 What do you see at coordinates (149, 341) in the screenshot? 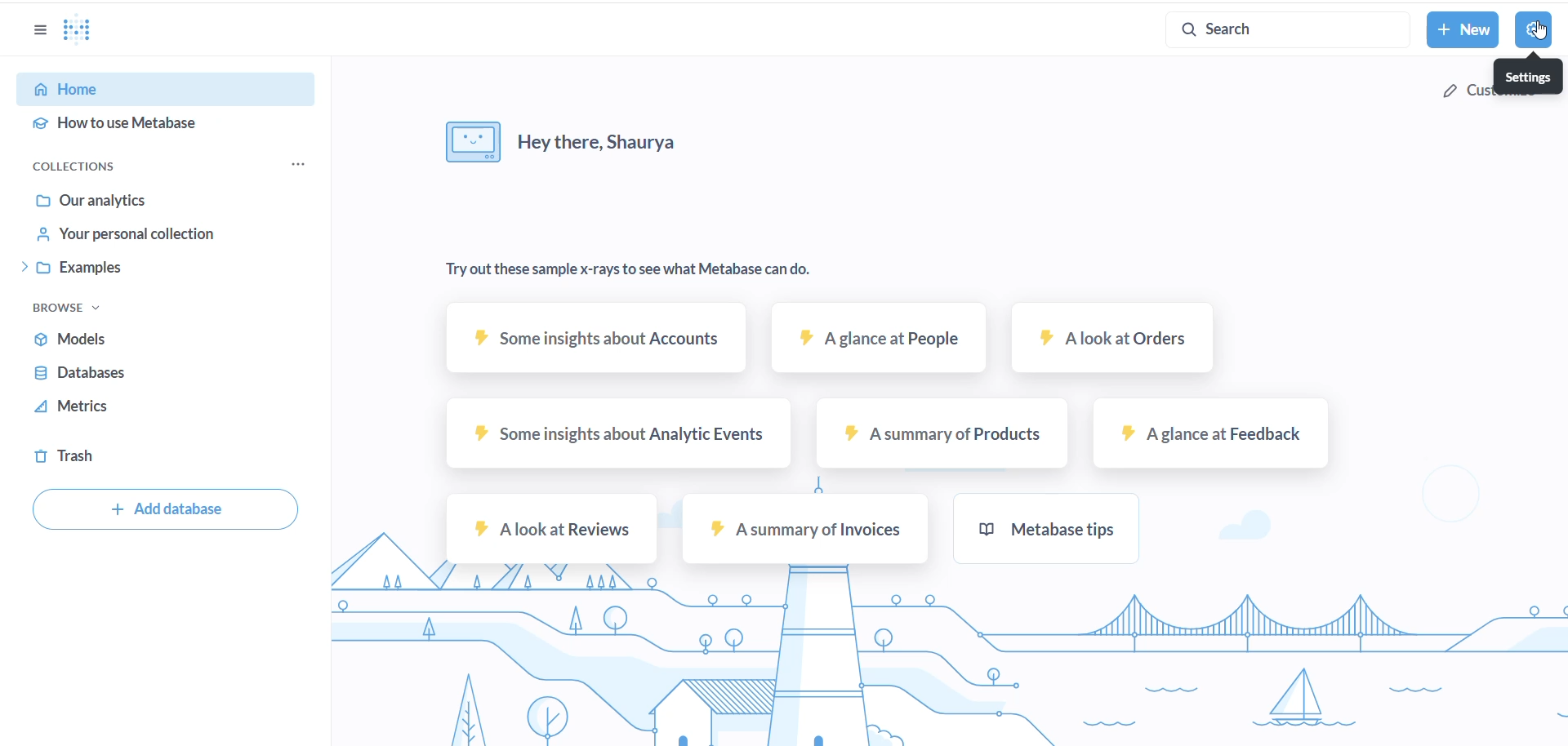
I see `models` at bounding box center [149, 341].